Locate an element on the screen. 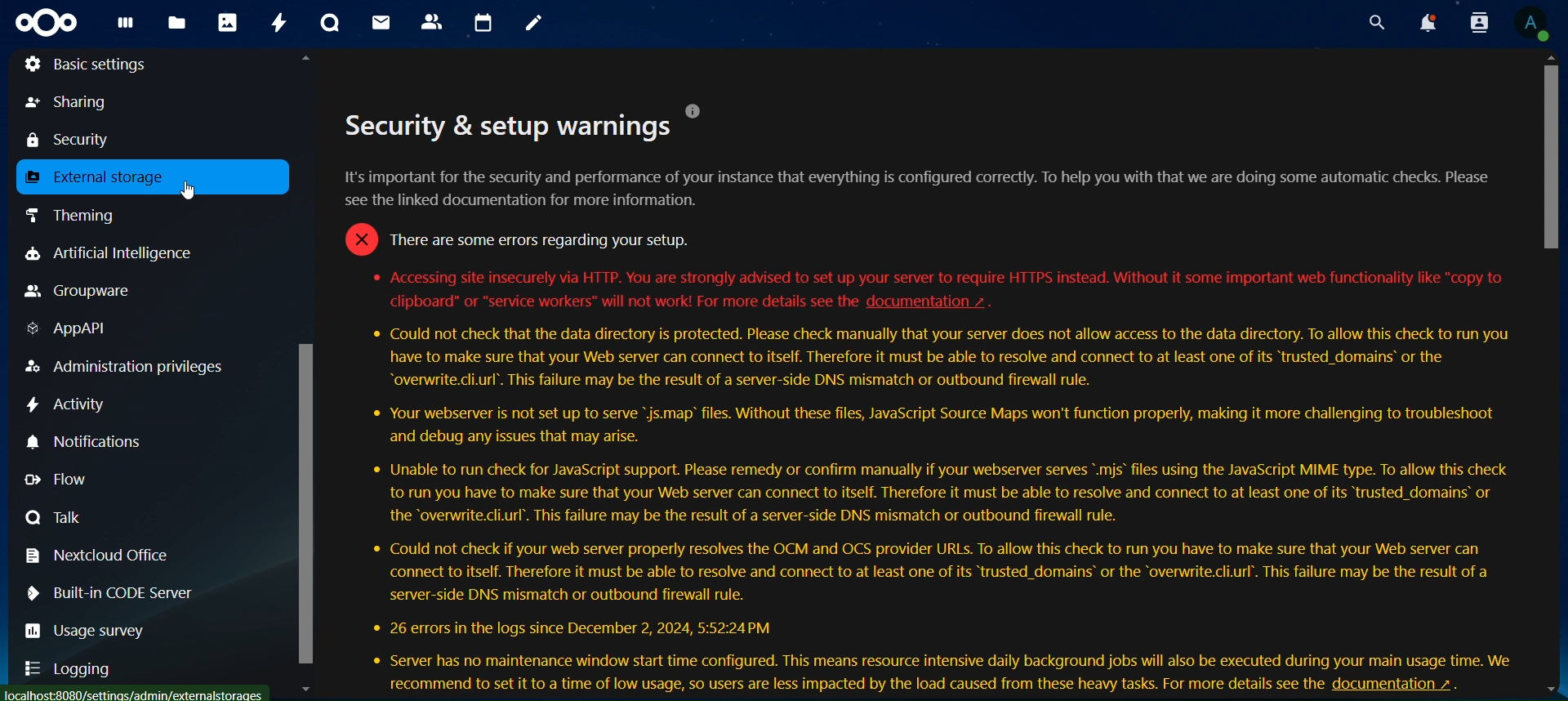 The image size is (1568, 701). scrollbar is located at coordinates (308, 505).